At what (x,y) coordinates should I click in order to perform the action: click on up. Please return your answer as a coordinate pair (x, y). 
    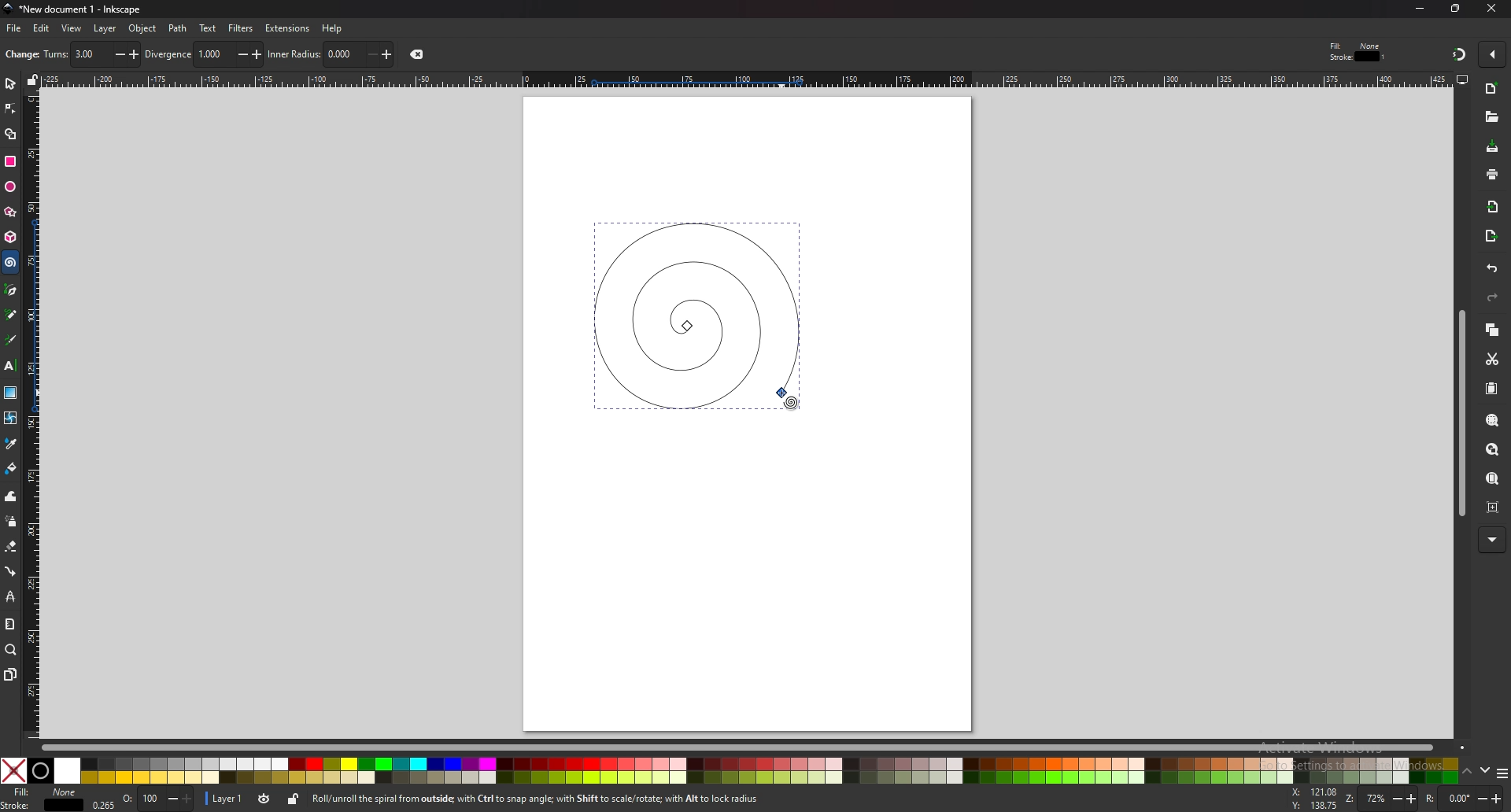
    Looking at the image, I should click on (1466, 770).